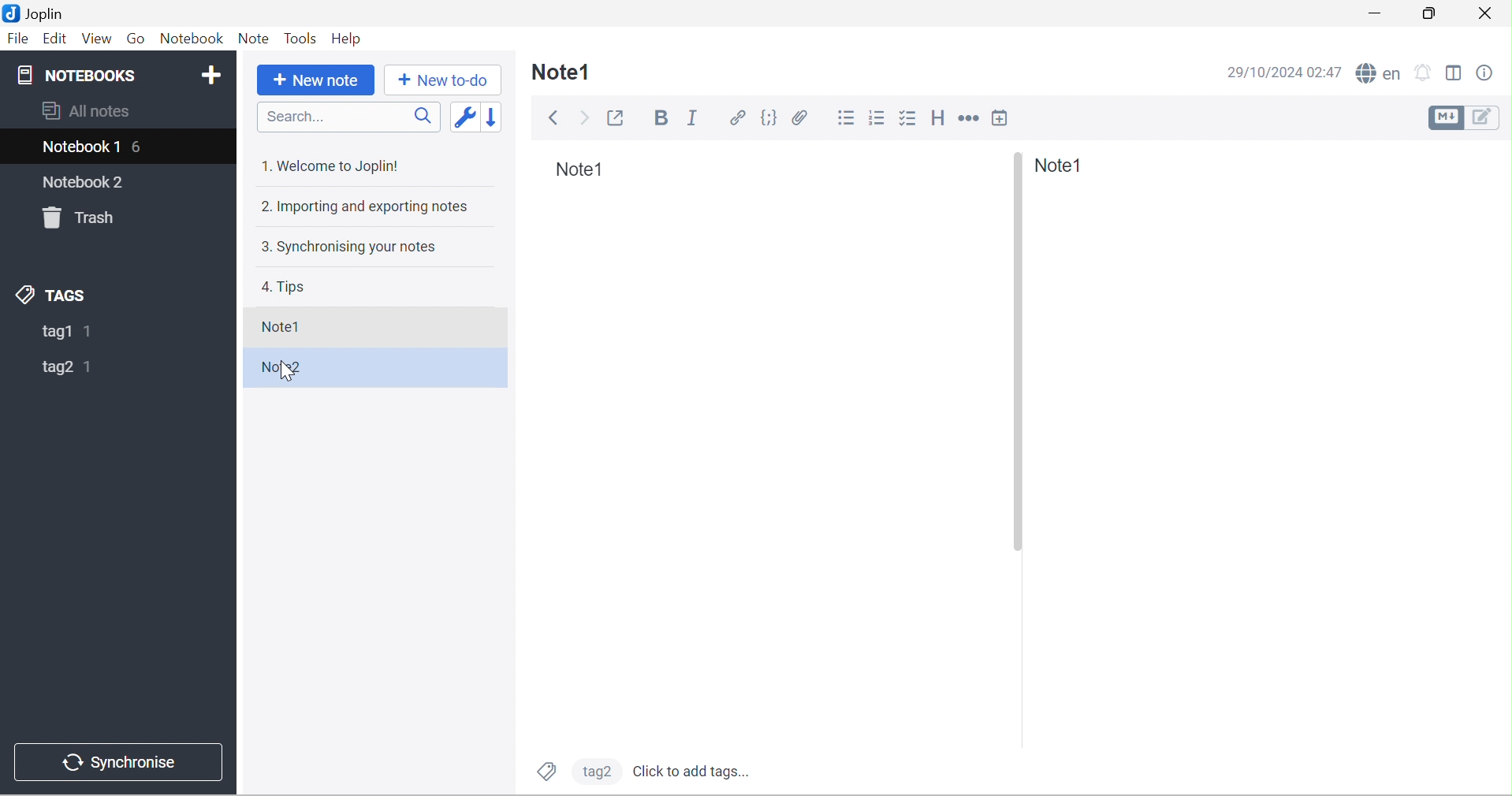  I want to click on Spell checker, so click(1378, 75).